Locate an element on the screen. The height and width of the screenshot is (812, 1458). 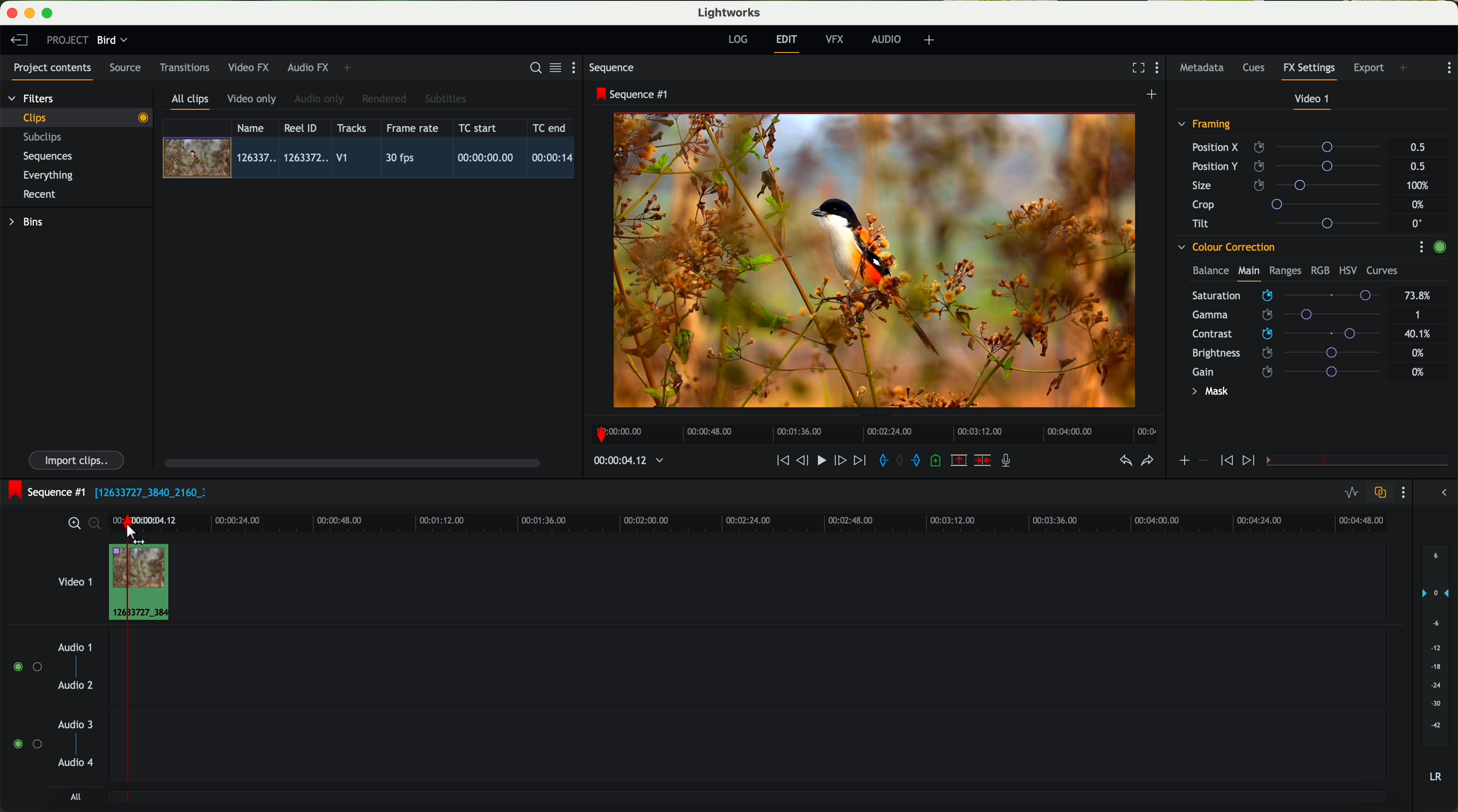
black is located at coordinates (146, 491).